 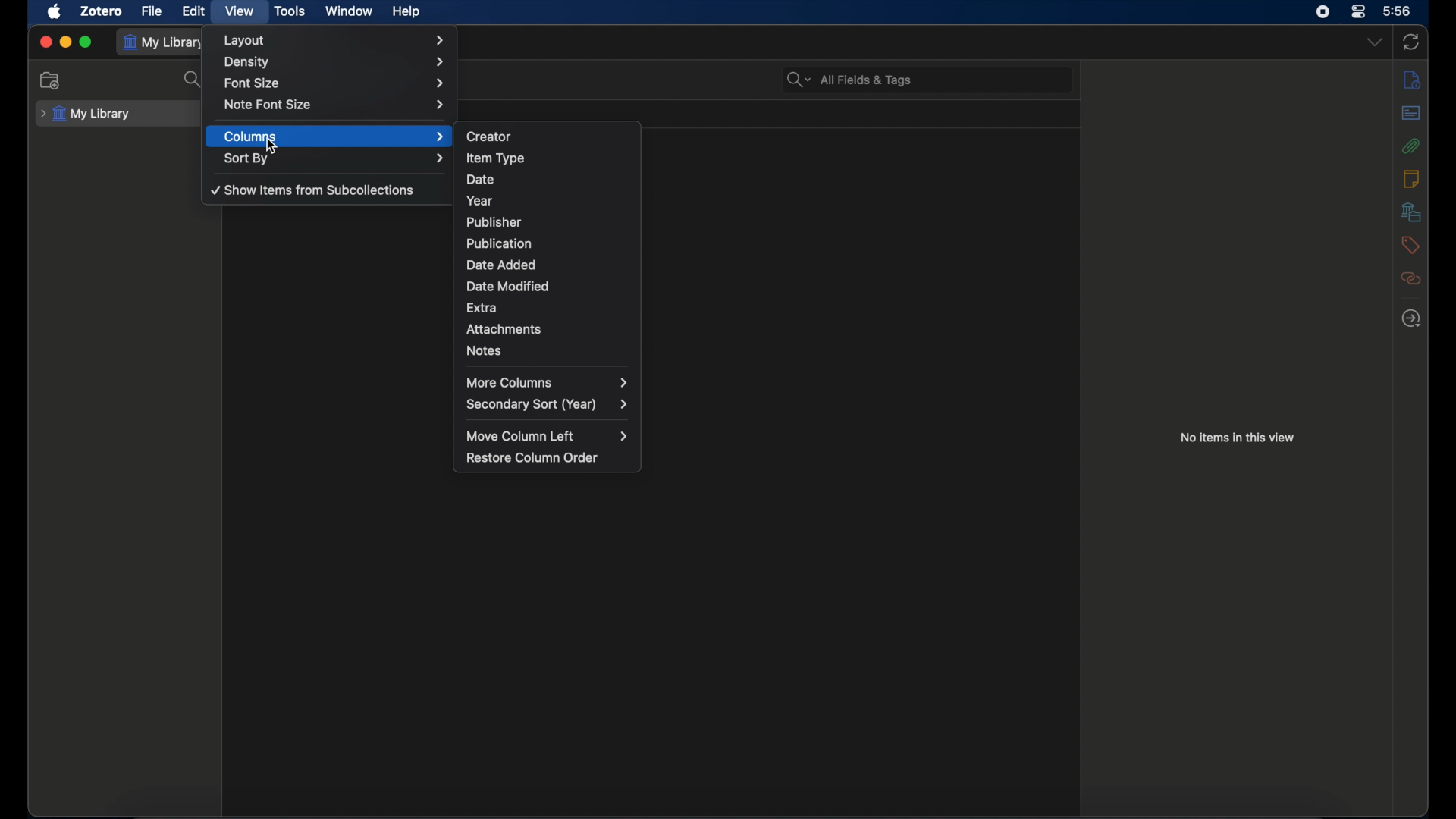 What do you see at coordinates (547, 199) in the screenshot?
I see `year` at bounding box center [547, 199].